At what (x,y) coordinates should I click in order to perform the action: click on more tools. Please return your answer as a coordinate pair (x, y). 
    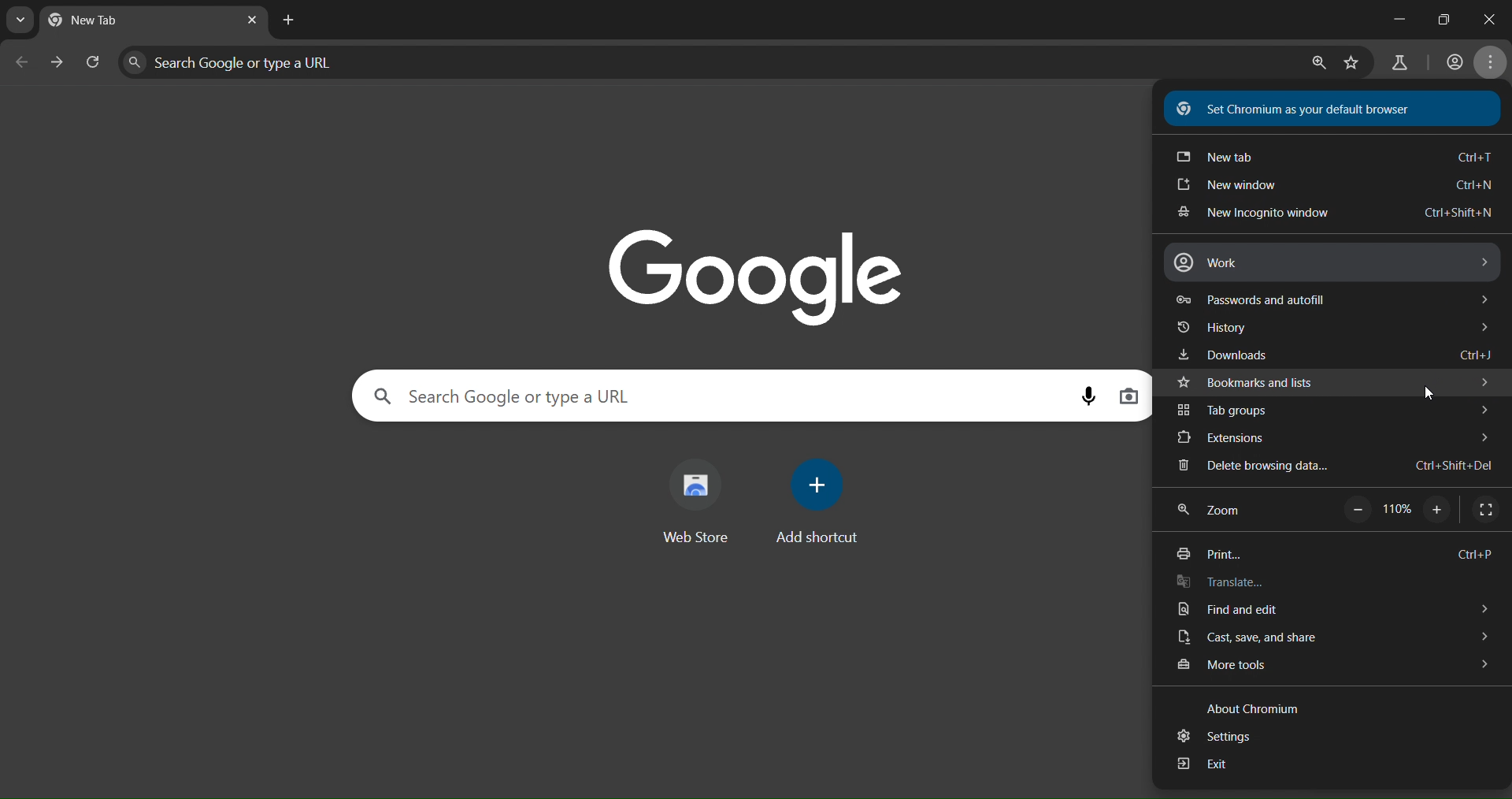
    Looking at the image, I should click on (1332, 667).